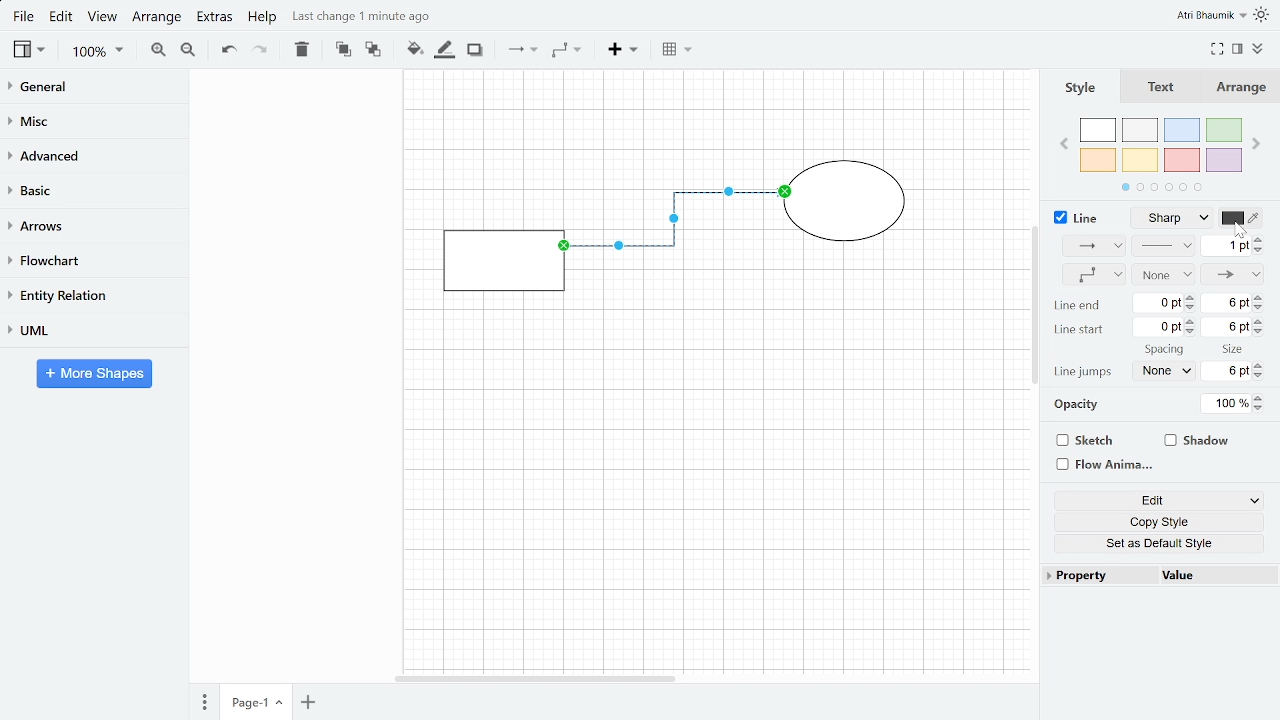  Describe the element at coordinates (1078, 308) in the screenshot. I see `line end` at that location.